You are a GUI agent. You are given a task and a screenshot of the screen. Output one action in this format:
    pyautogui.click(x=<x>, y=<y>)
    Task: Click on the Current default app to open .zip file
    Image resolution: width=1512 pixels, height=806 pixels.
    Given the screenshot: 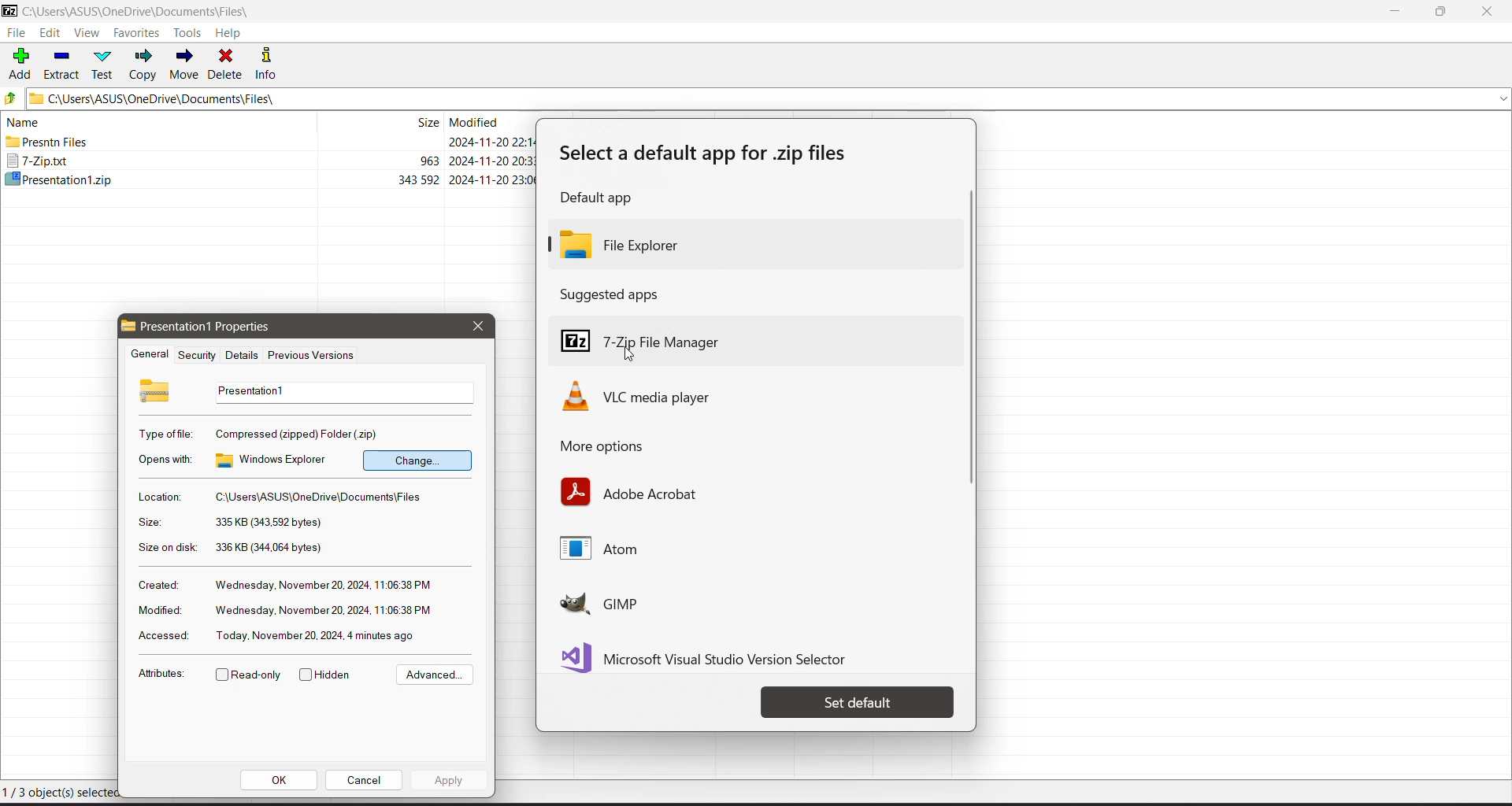 What is the action you would take?
    pyautogui.click(x=752, y=243)
    